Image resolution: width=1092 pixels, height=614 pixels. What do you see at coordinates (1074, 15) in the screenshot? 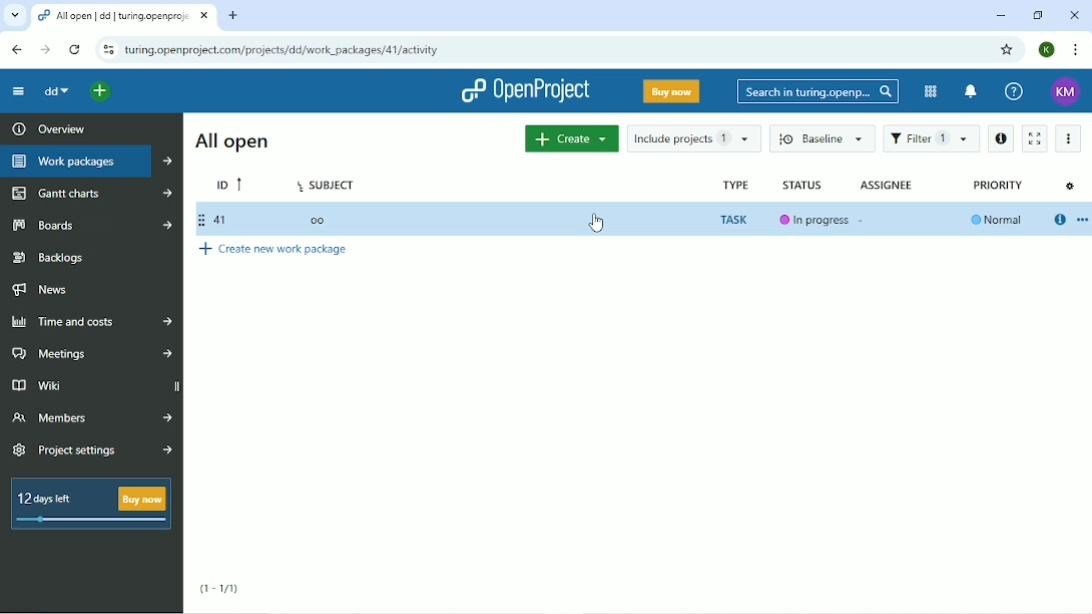
I see `Close` at bounding box center [1074, 15].